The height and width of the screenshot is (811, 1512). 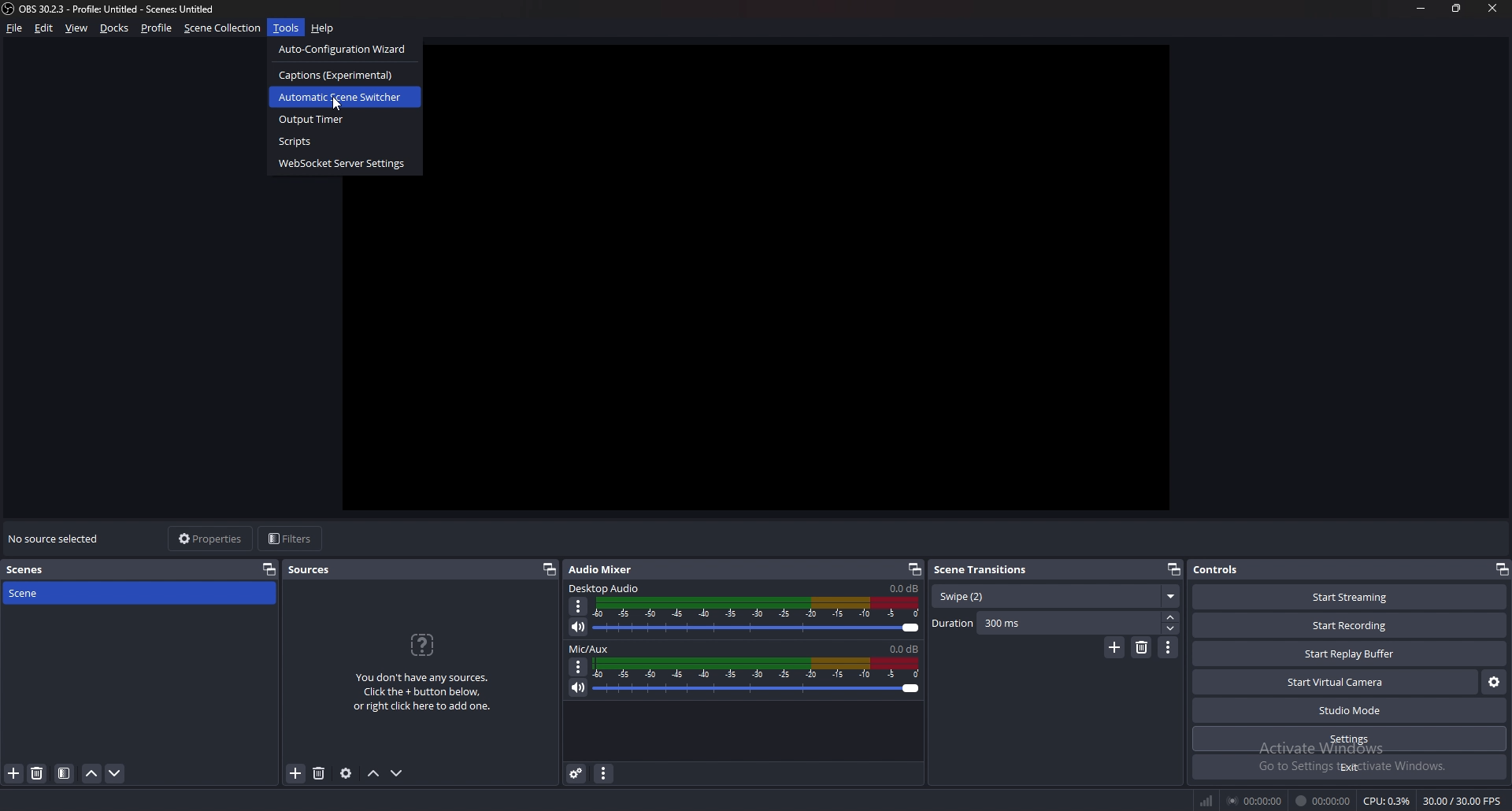 What do you see at coordinates (1169, 647) in the screenshot?
I see `transition properties` at bounding box center [1169, 647].